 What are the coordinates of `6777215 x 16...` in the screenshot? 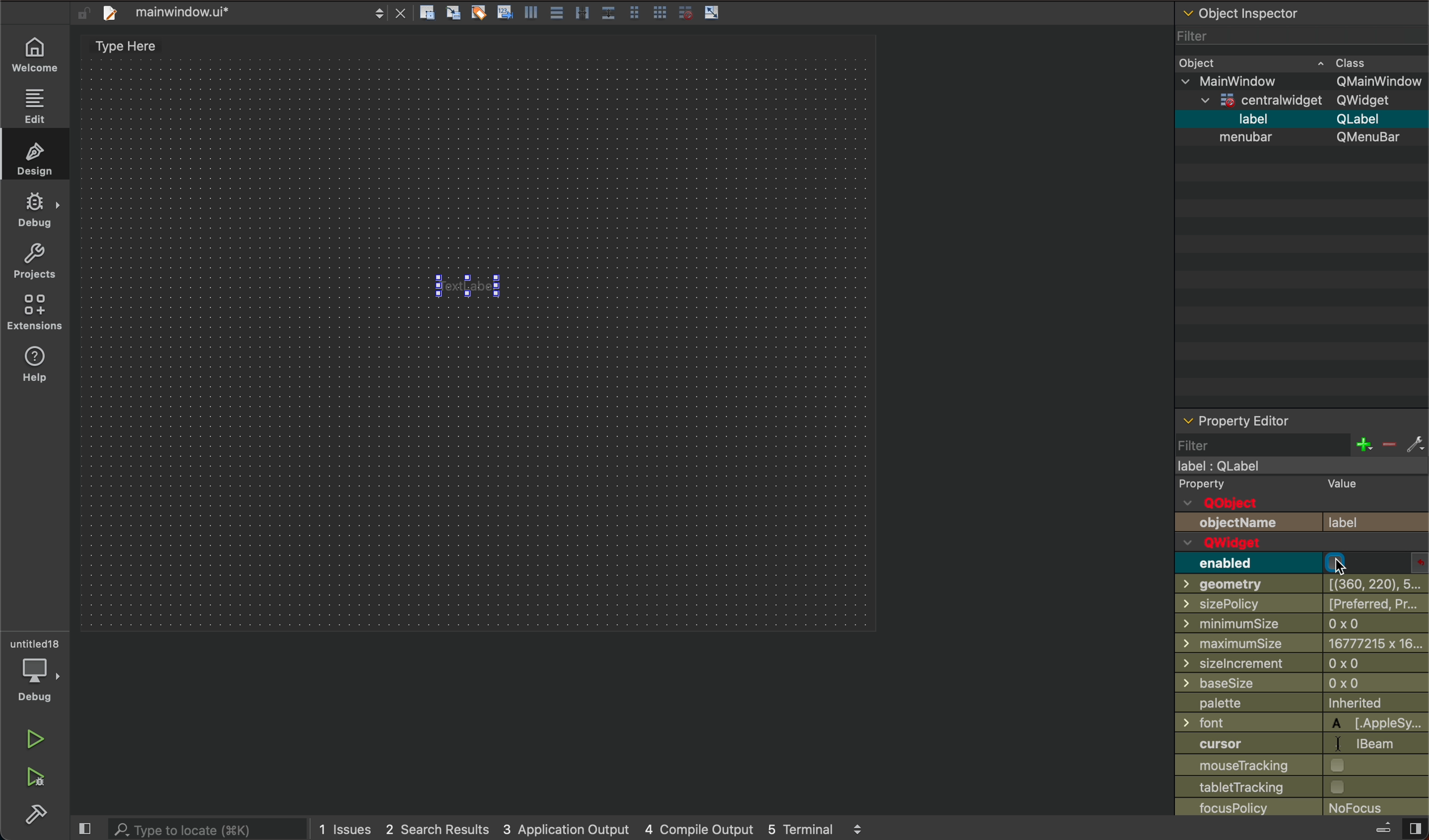 It's located at (1373, 643).